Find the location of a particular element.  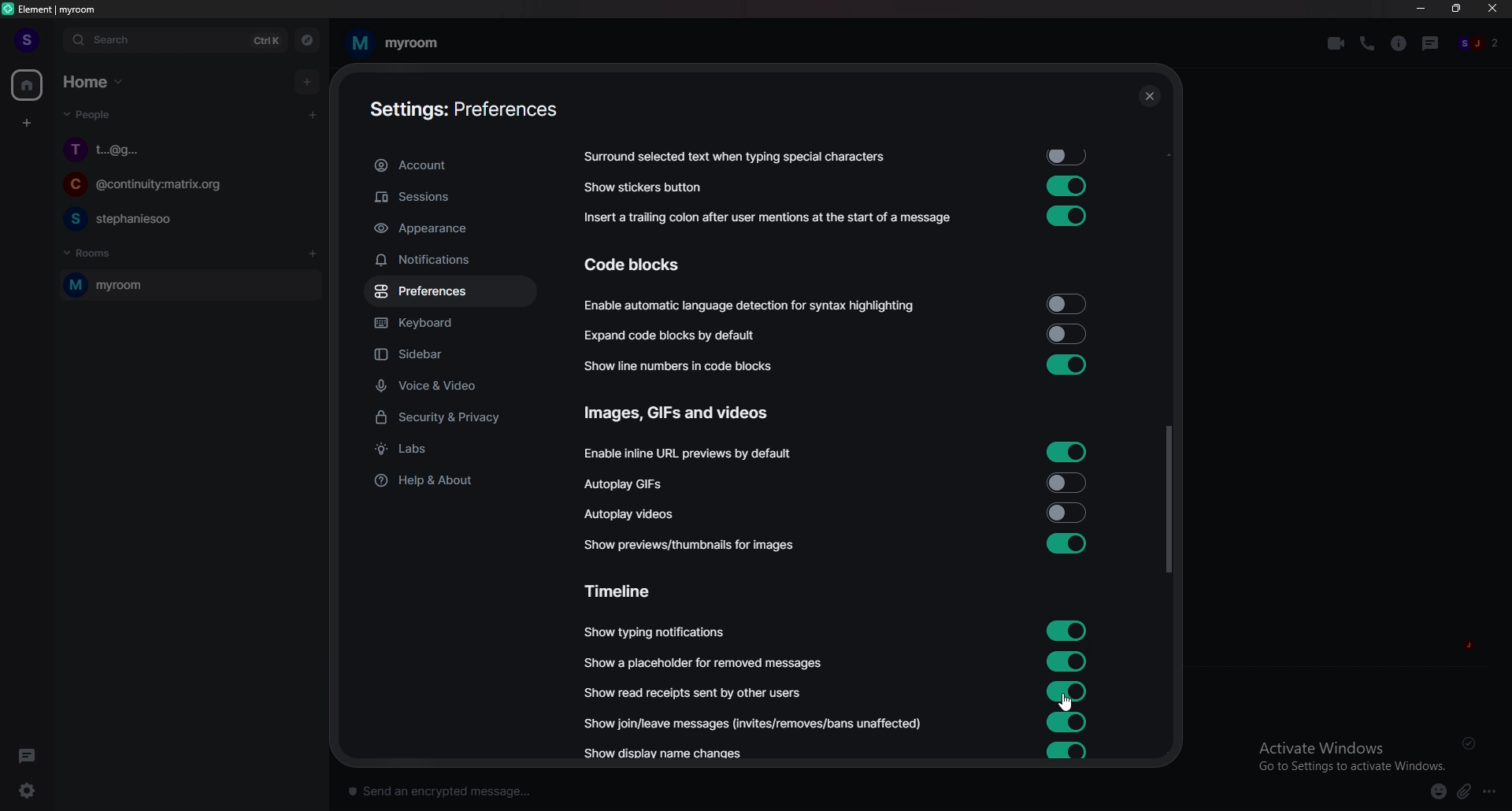

toggle is located at coordinates (1068, 628).